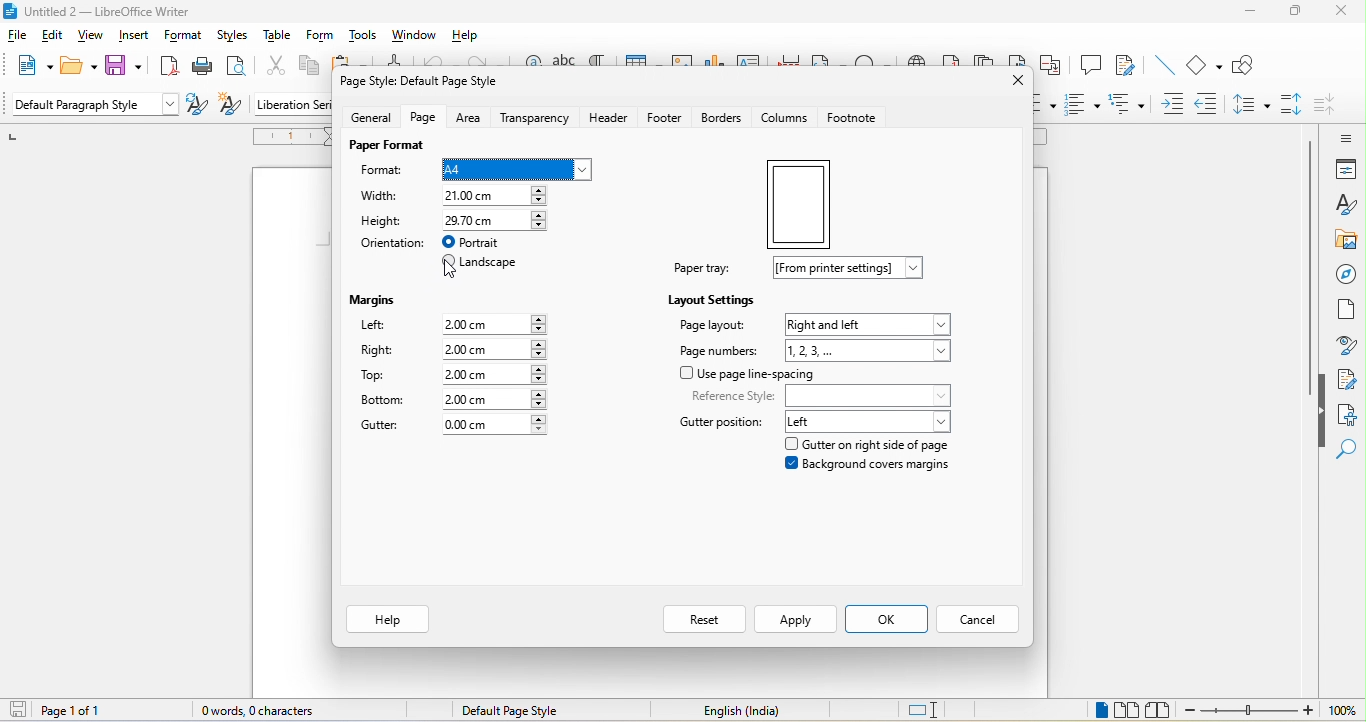 This screenshot has height=722, width=1366. Describe the element at coordinates (1346, 275) in the screenshot. I see `navigator` at that location.